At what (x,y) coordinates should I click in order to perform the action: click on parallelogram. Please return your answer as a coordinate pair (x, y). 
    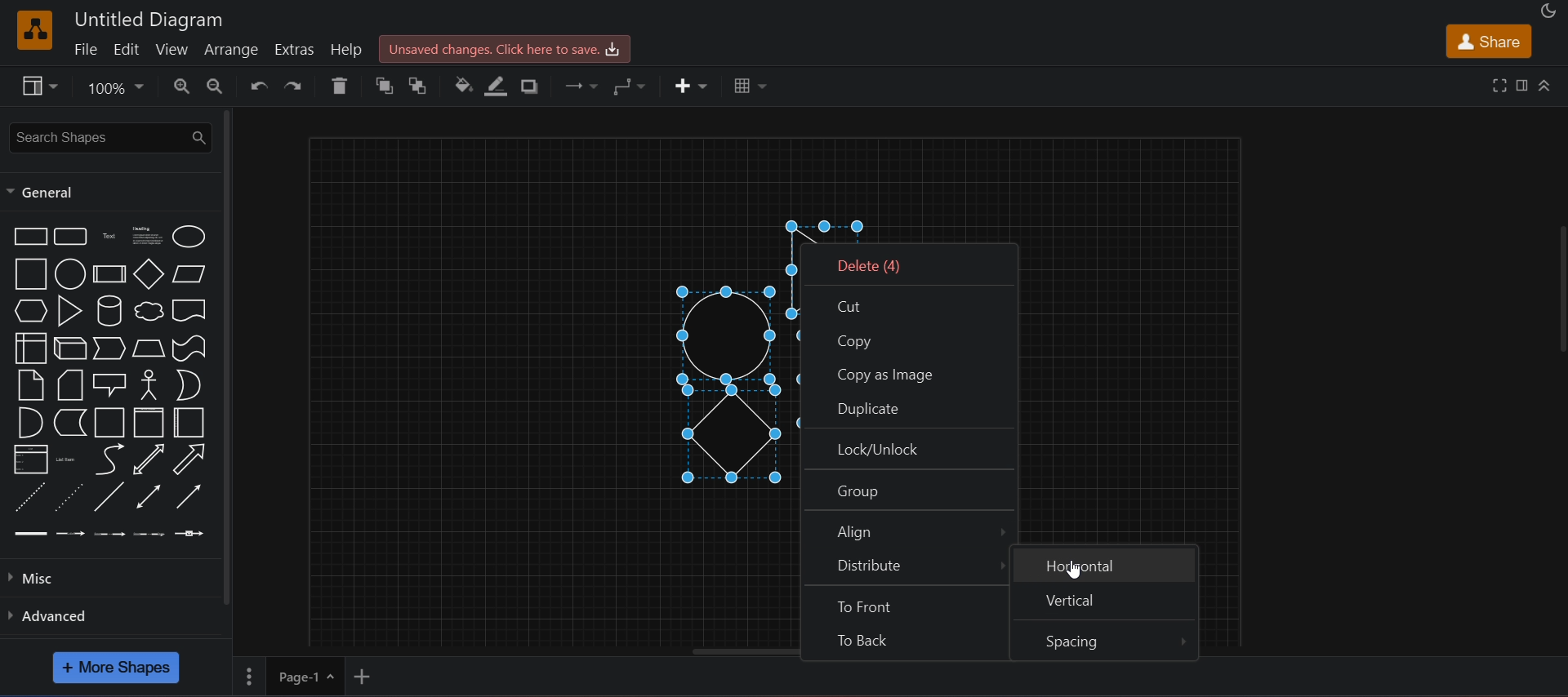
    Looking at the image, I should click on (189, 274).